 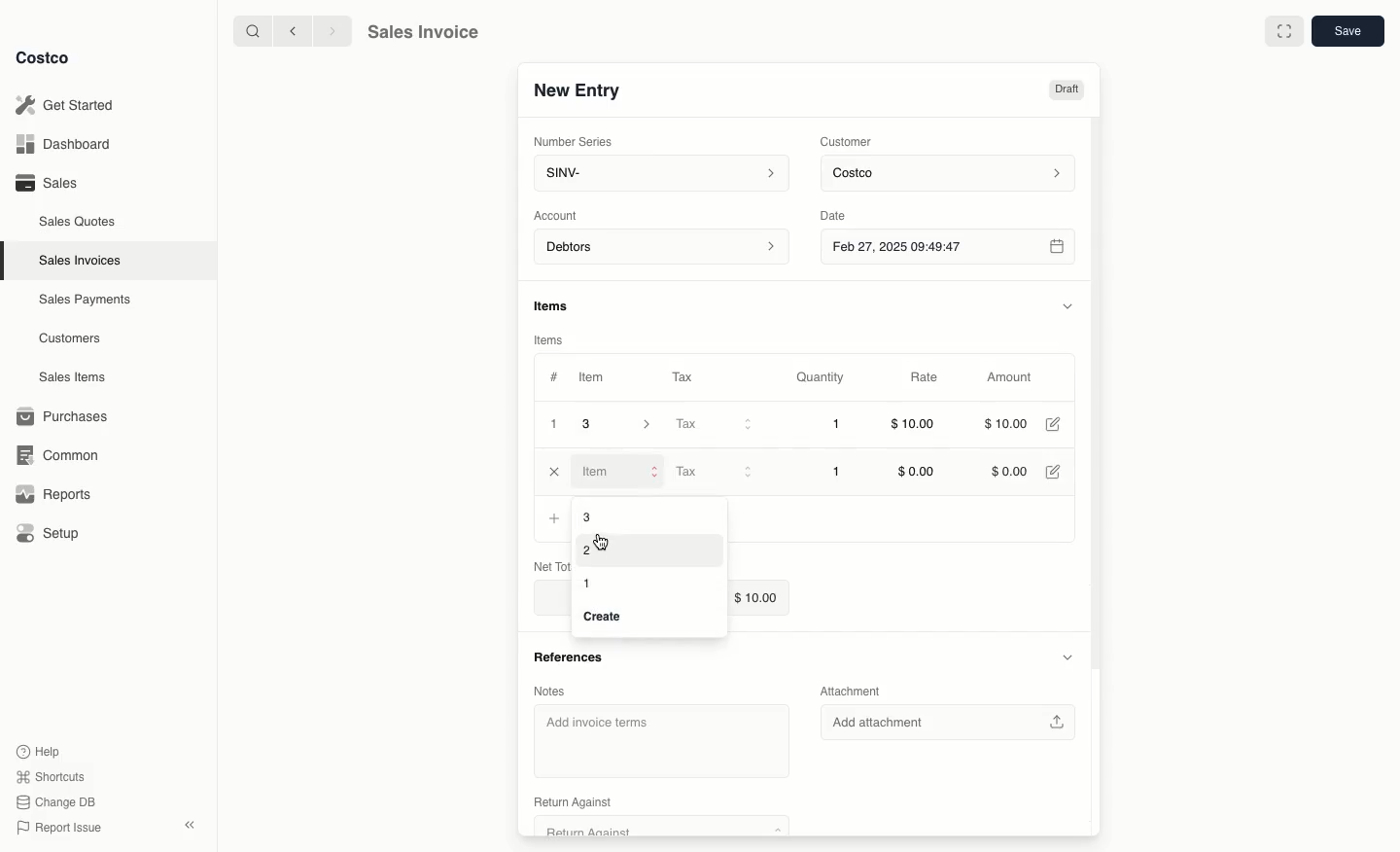 I want to click on search, so click(x=249, y=30).